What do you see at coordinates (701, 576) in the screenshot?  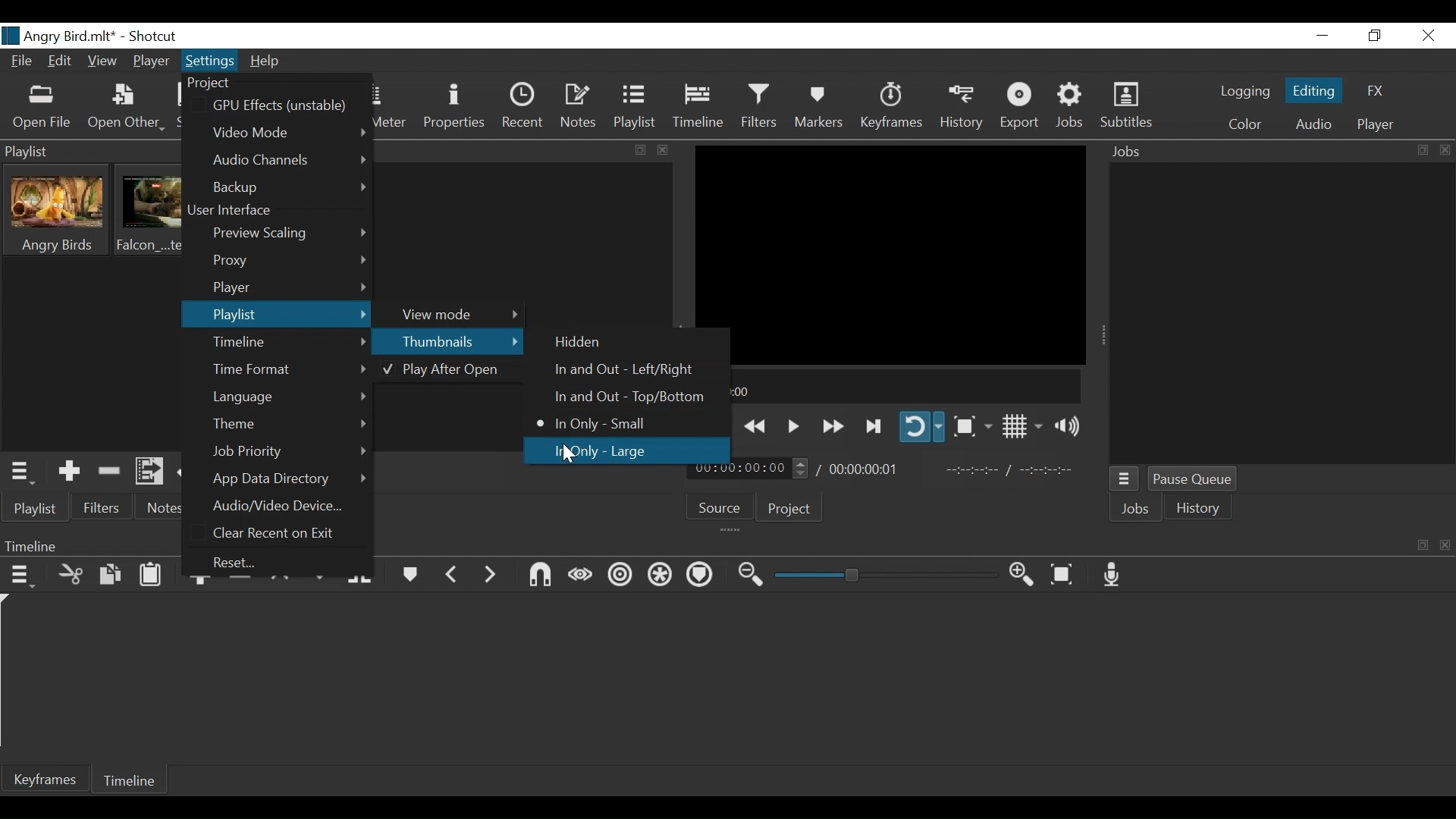 I see `Ripple markers` at bounding box center [701, 576].